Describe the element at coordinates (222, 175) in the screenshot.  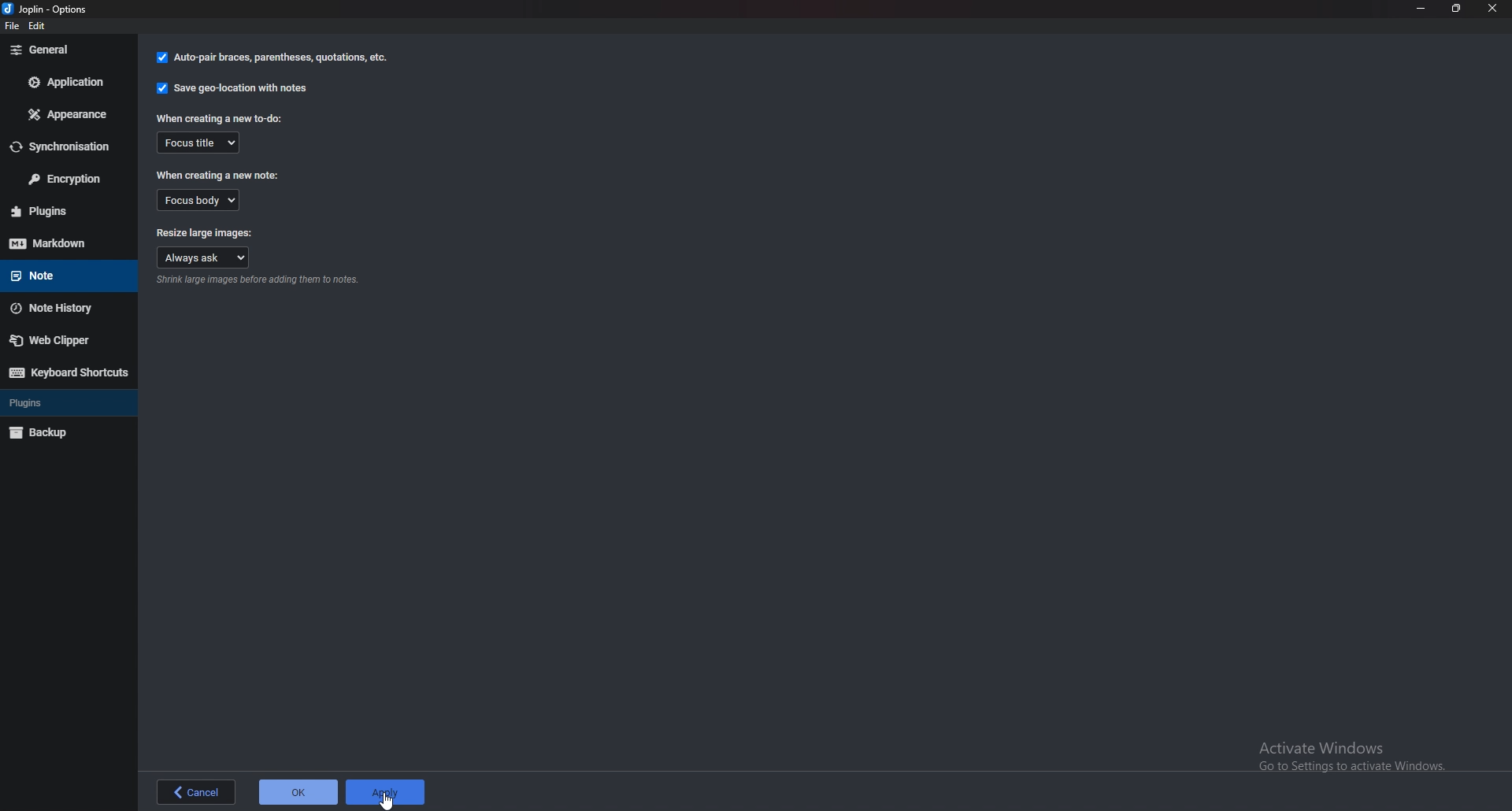
I see `When creating a new note` at that location.